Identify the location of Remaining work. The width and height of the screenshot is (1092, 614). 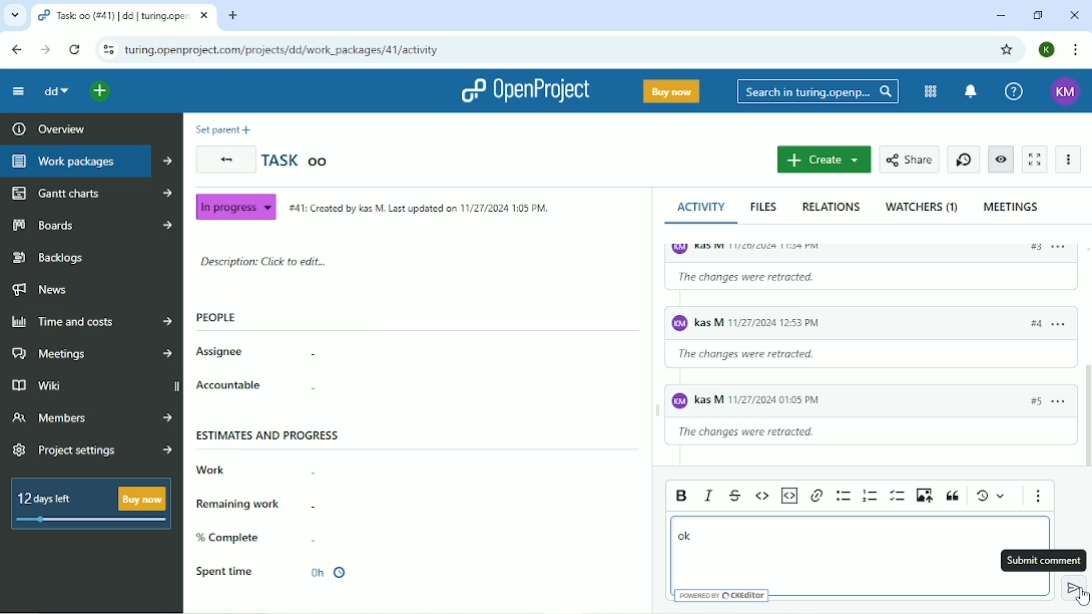
(257, 503).